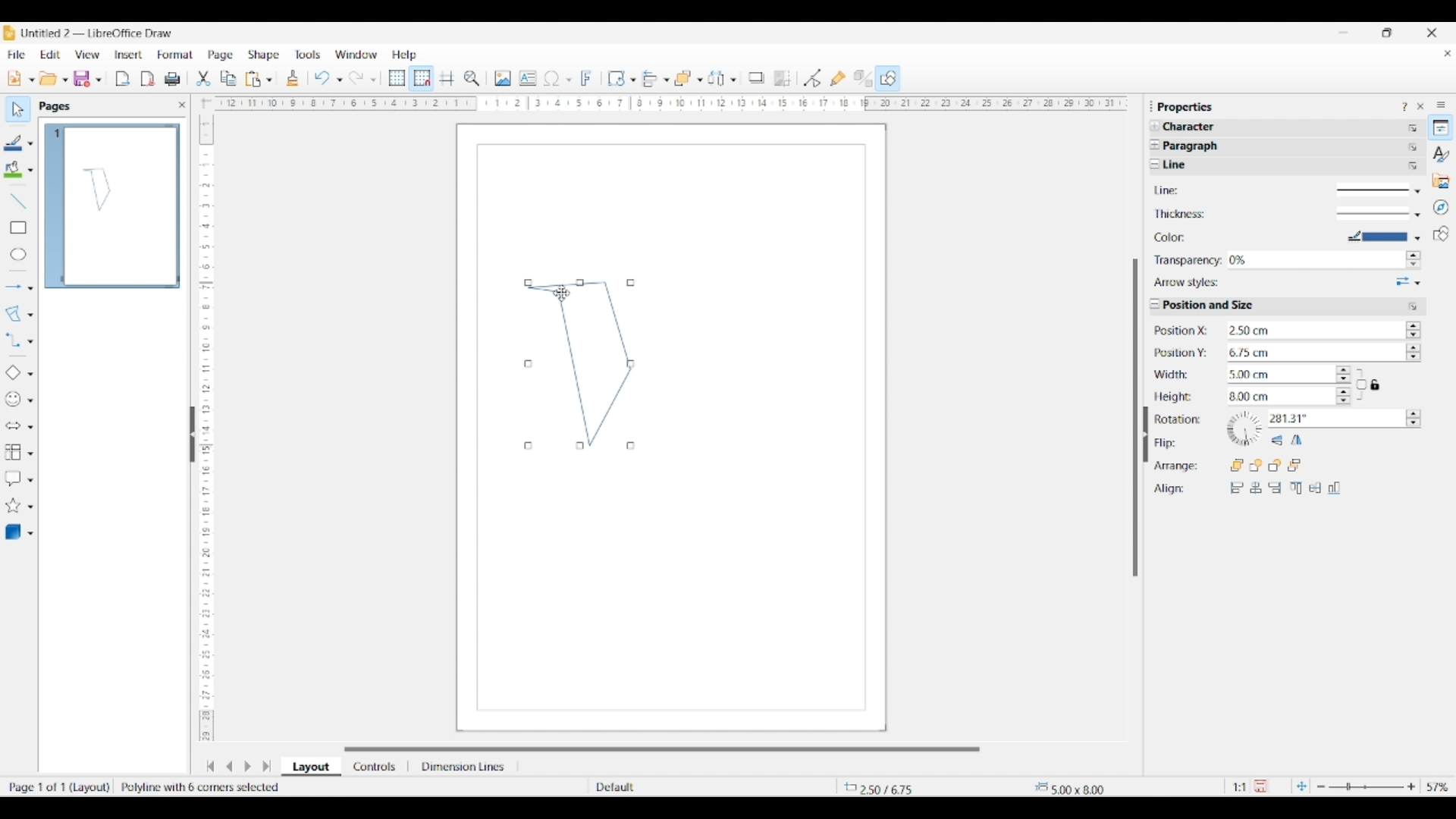 Image resolution: width=1456 pixels, height=819 pixels. I want to click on Help, so click(405, 55).